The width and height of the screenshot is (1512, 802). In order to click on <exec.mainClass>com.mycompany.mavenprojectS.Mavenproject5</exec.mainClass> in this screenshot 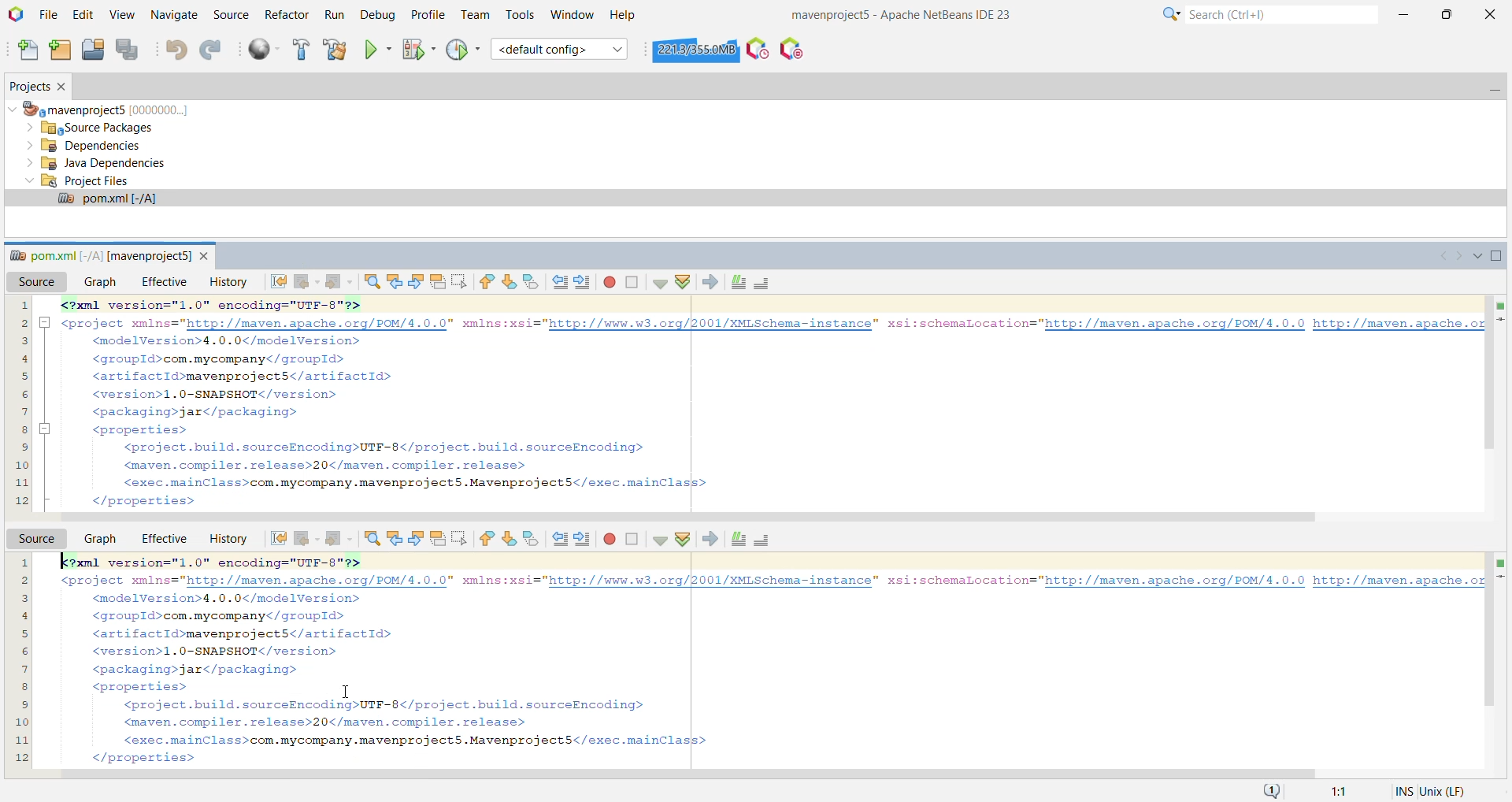, I will do `click(409, 481)`.